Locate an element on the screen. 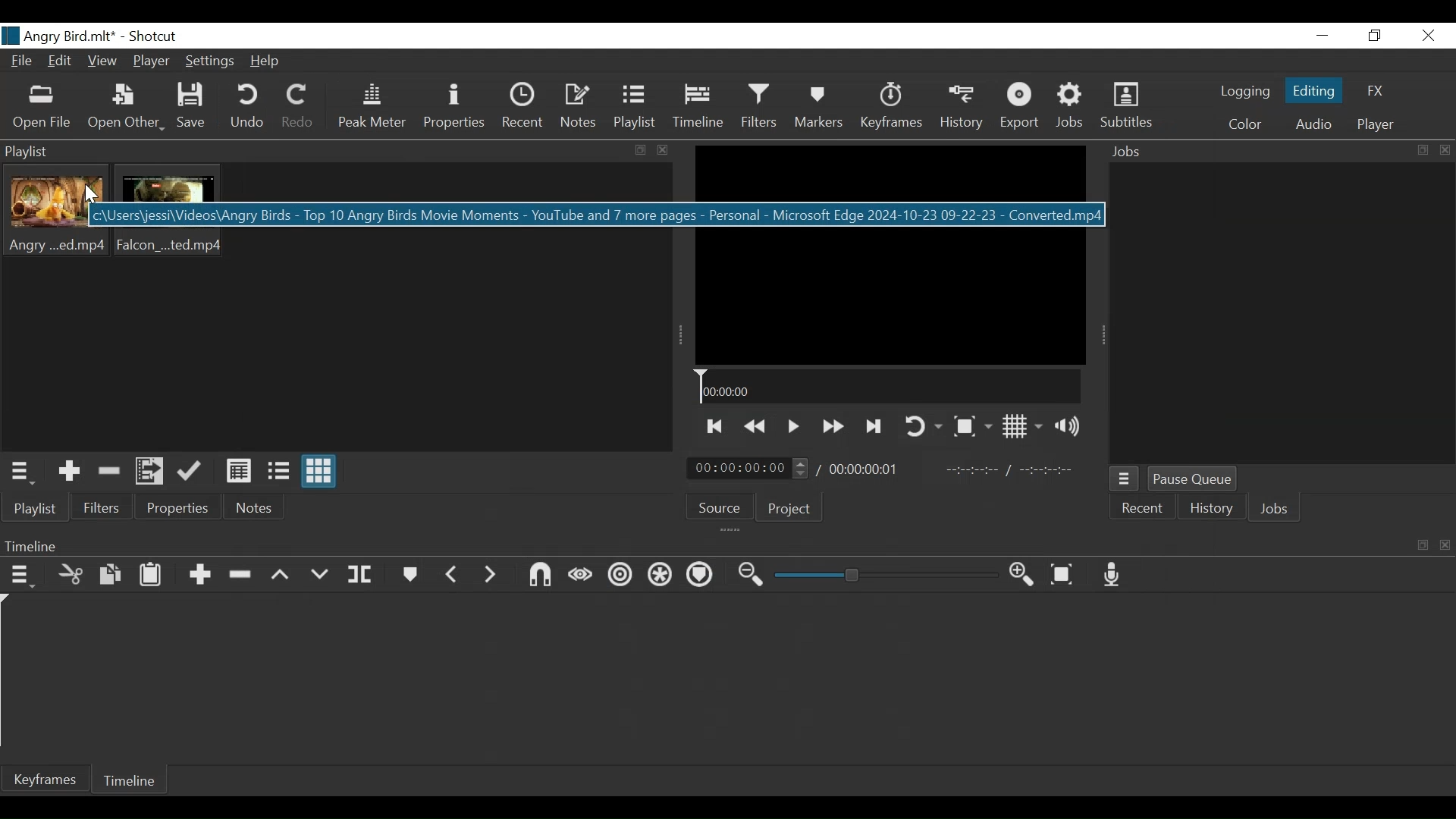 The width and height of the screenshot is (1456, 819). Current Duration is located at coordinates (748, 469).